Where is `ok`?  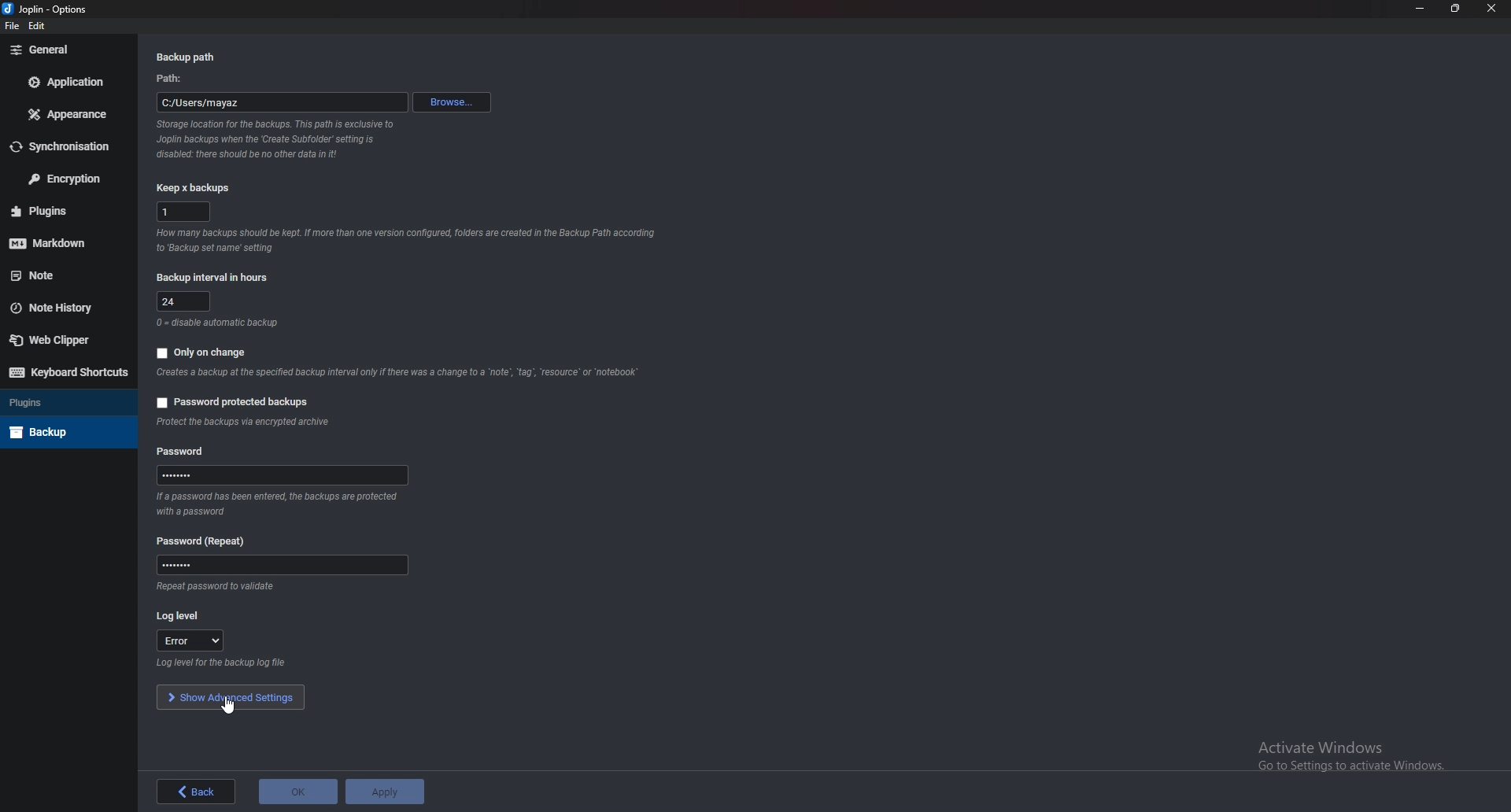 ok is located at coordinates (298, 792).